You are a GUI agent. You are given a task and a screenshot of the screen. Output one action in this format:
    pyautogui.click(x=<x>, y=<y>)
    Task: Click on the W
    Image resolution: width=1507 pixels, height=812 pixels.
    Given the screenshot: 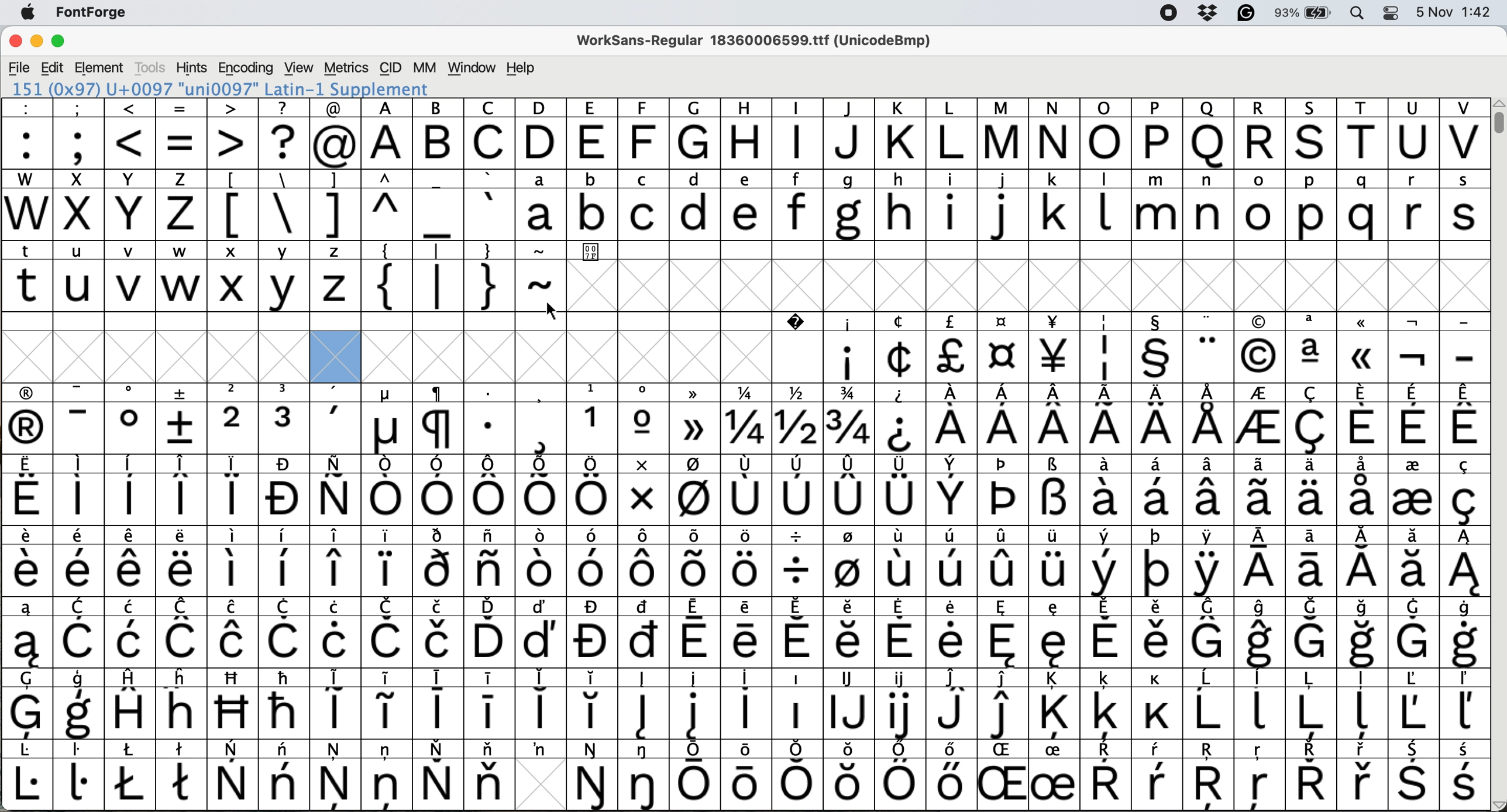 What is the action you would take?
    pyautogui.click(x=29, y=205)
    